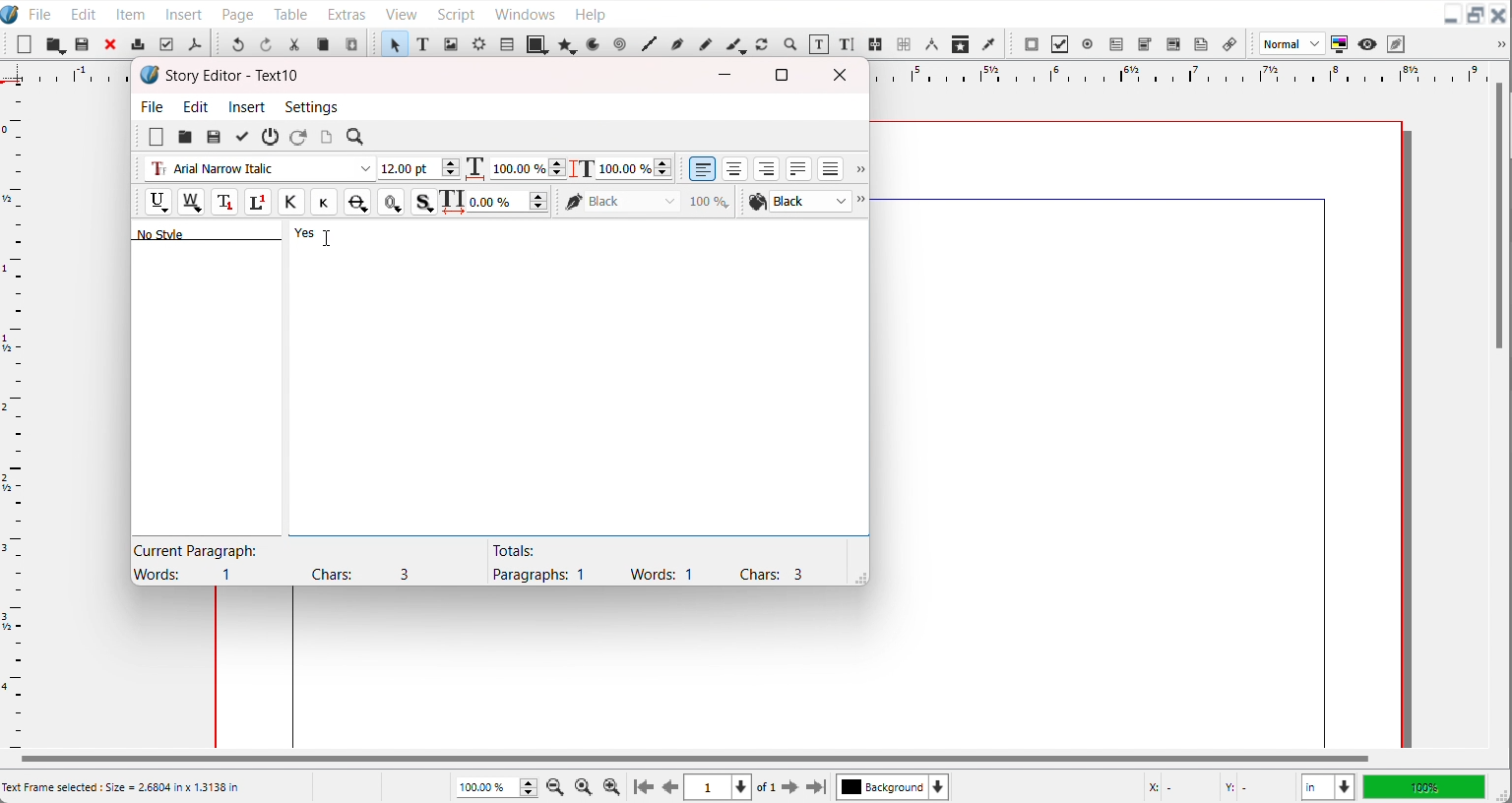 This screenshot has height=803, width=1512. Describe the element at coordinates (190, 202) in the screenshot. I see `Remove underline` at that location.